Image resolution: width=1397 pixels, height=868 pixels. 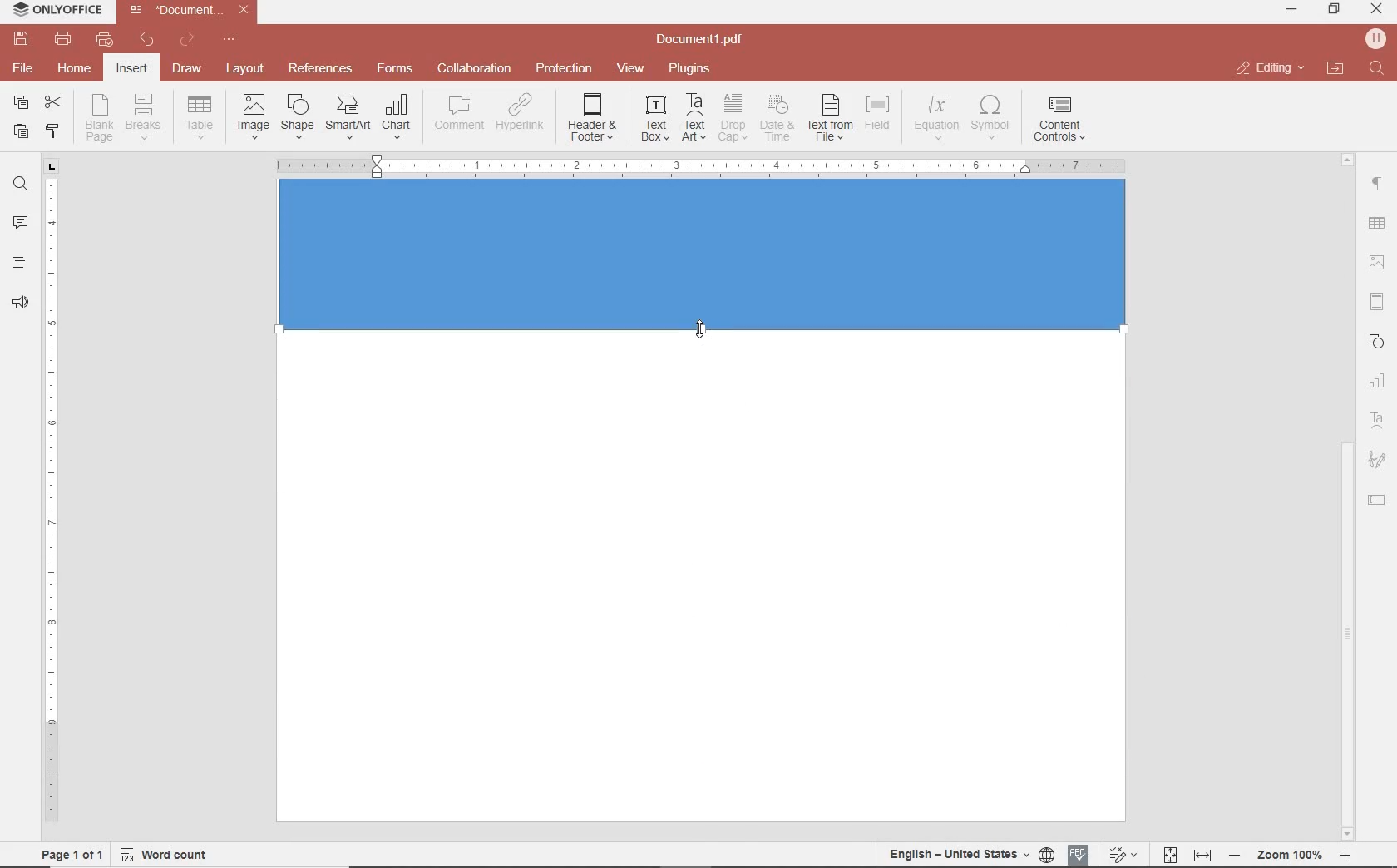 I want to click on copy, so click(x=21, y=104).